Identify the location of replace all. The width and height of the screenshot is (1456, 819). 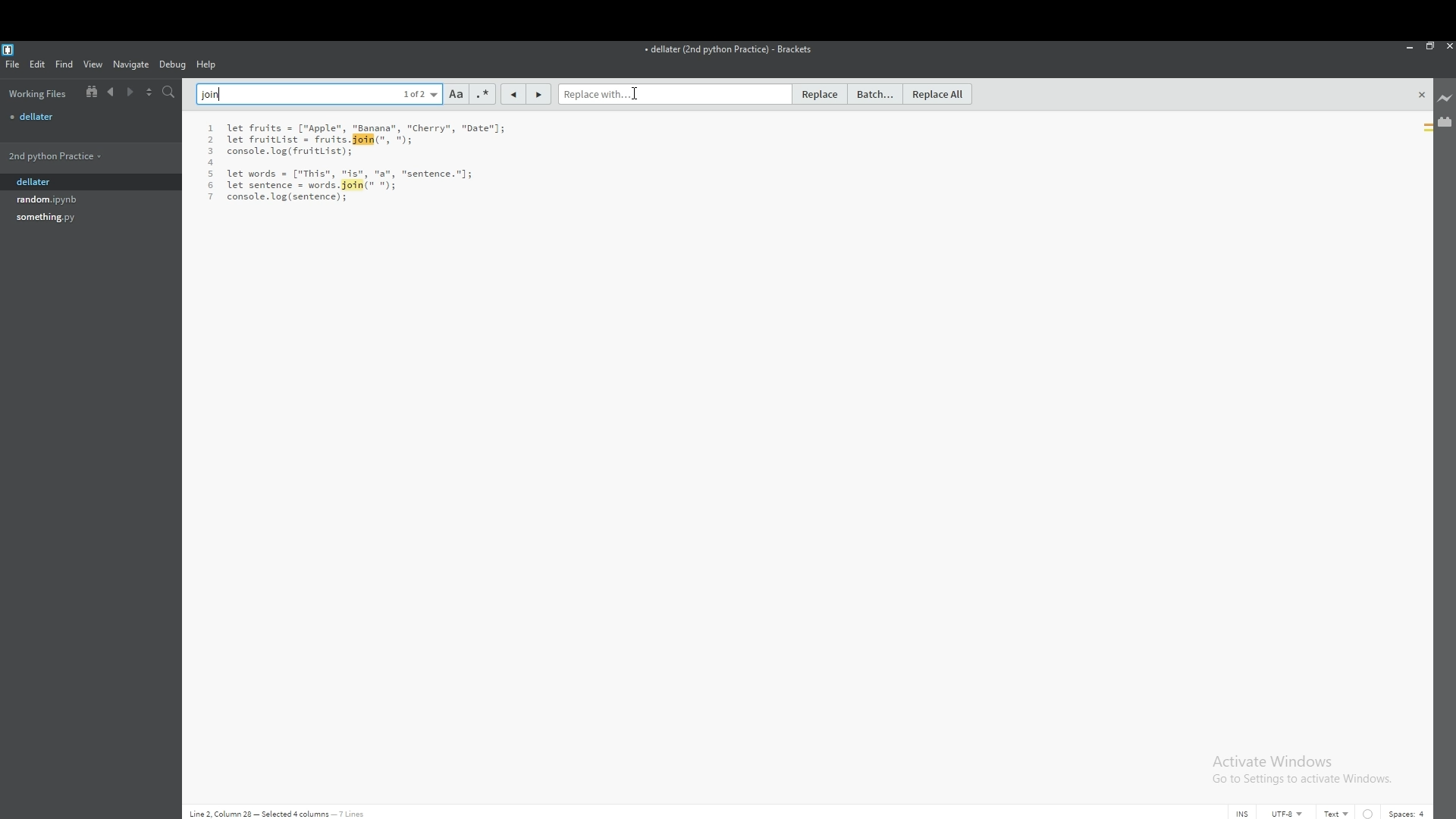
(939, 95).